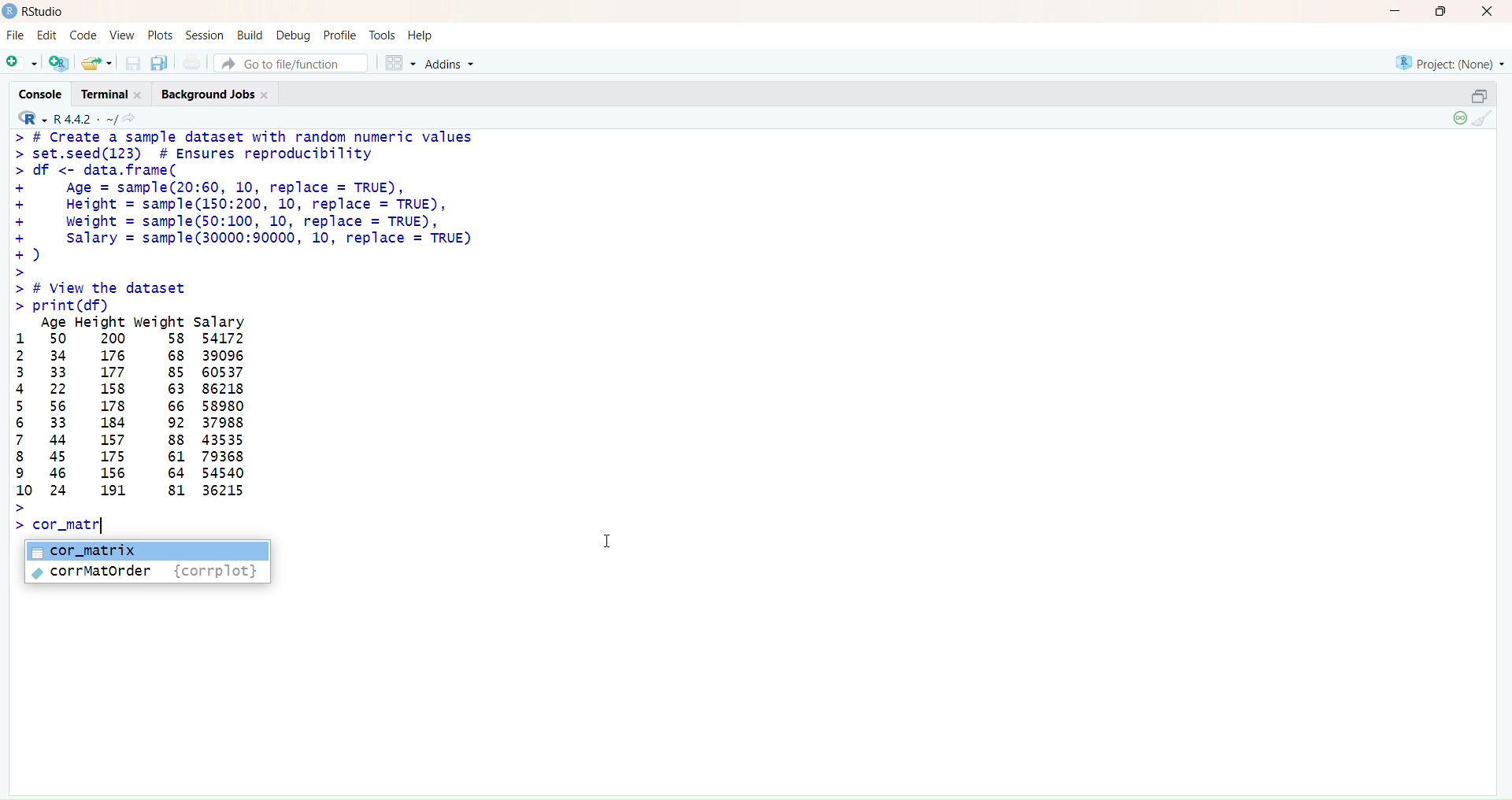 Image resolution: width=1512 pixels, height=800 pixels. I want to click on Posts, so click(157, 35).